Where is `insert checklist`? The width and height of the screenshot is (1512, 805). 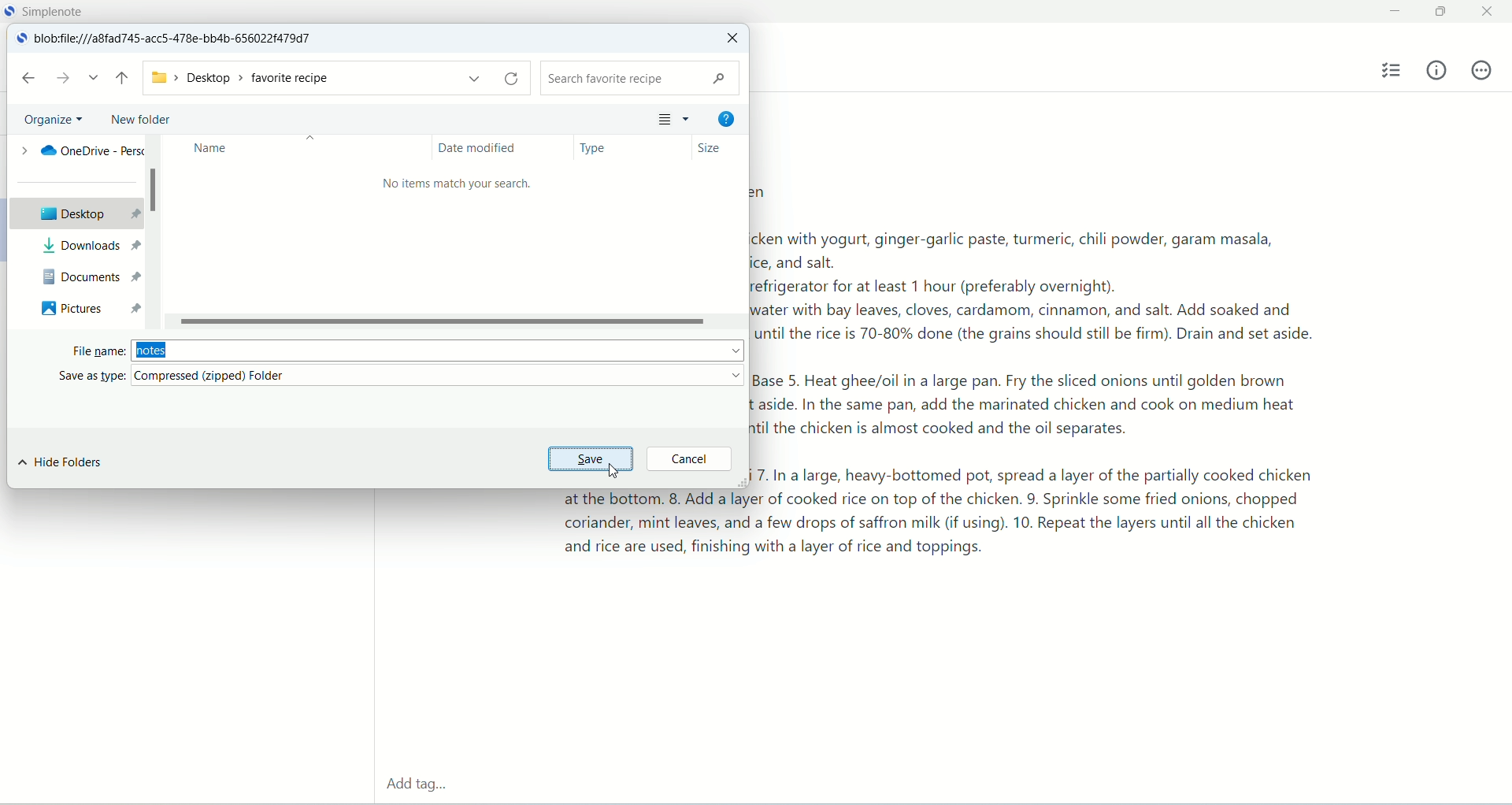 insert checklist is located at coordinates (1393, 71).